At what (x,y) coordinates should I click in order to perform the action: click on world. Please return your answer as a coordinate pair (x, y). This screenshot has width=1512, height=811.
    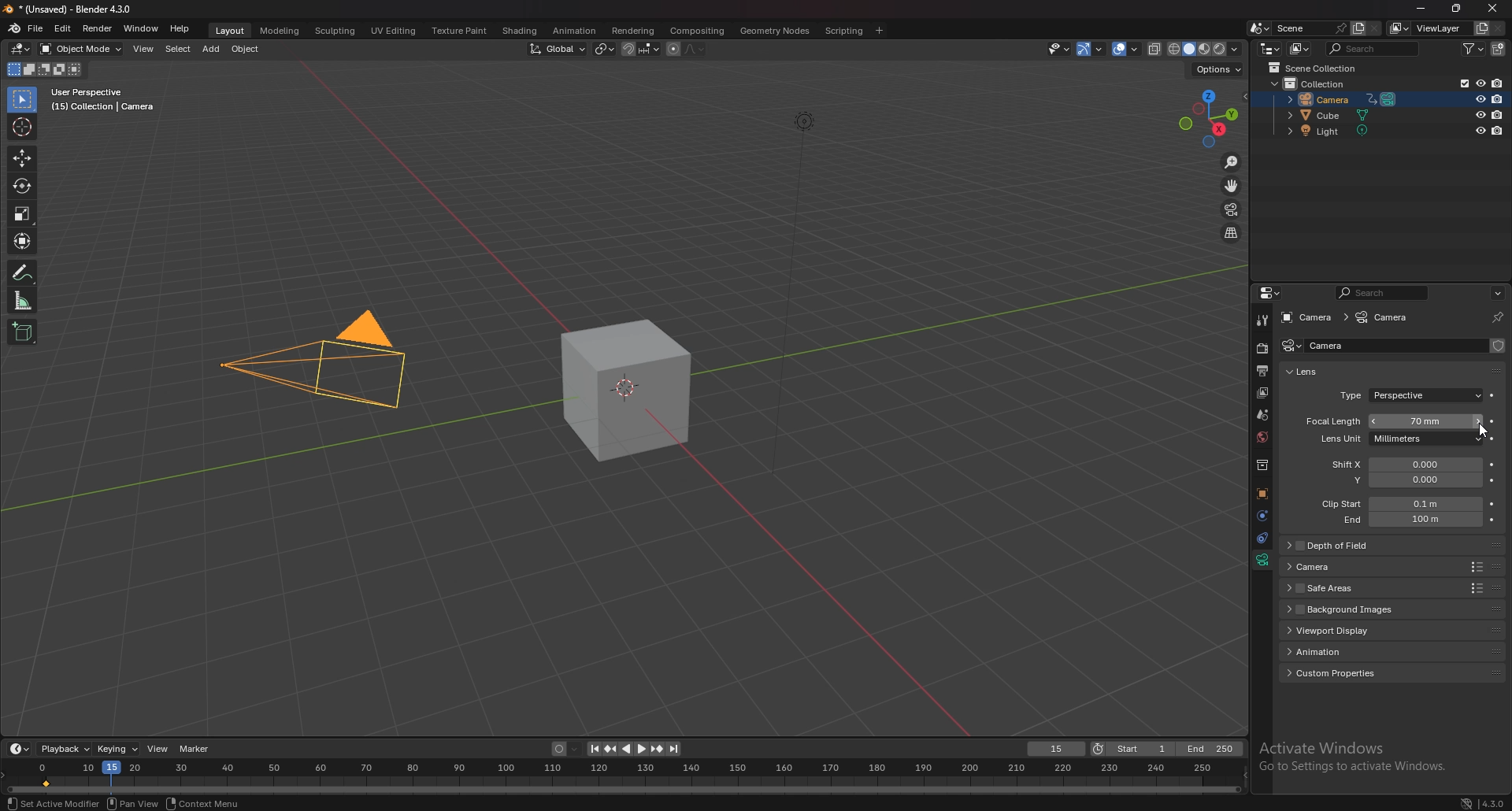
    Looking at the image, I should click on (1263, 438).